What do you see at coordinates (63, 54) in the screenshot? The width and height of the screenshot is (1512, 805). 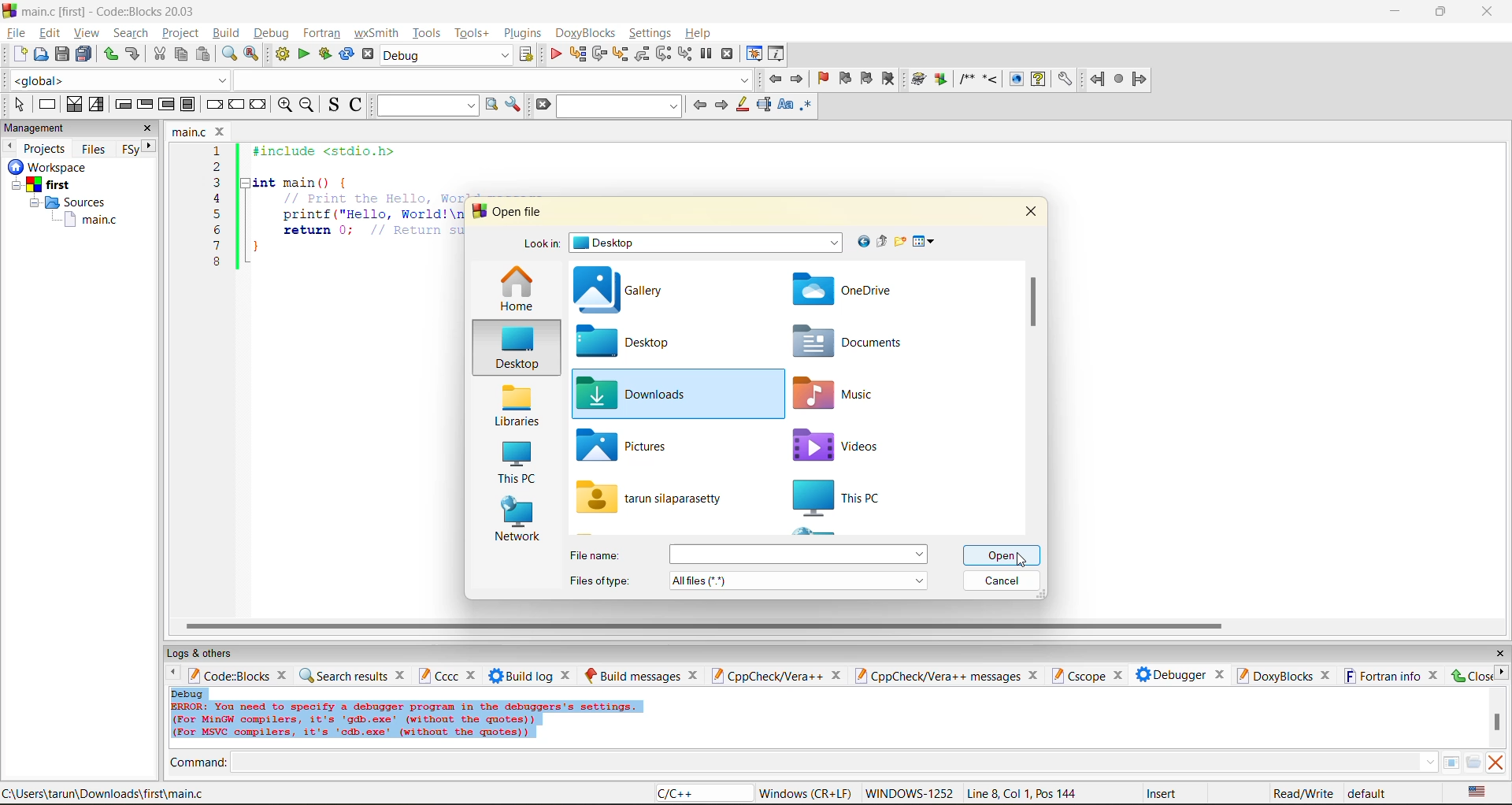 I see `save` at bounding box center [63, 54].